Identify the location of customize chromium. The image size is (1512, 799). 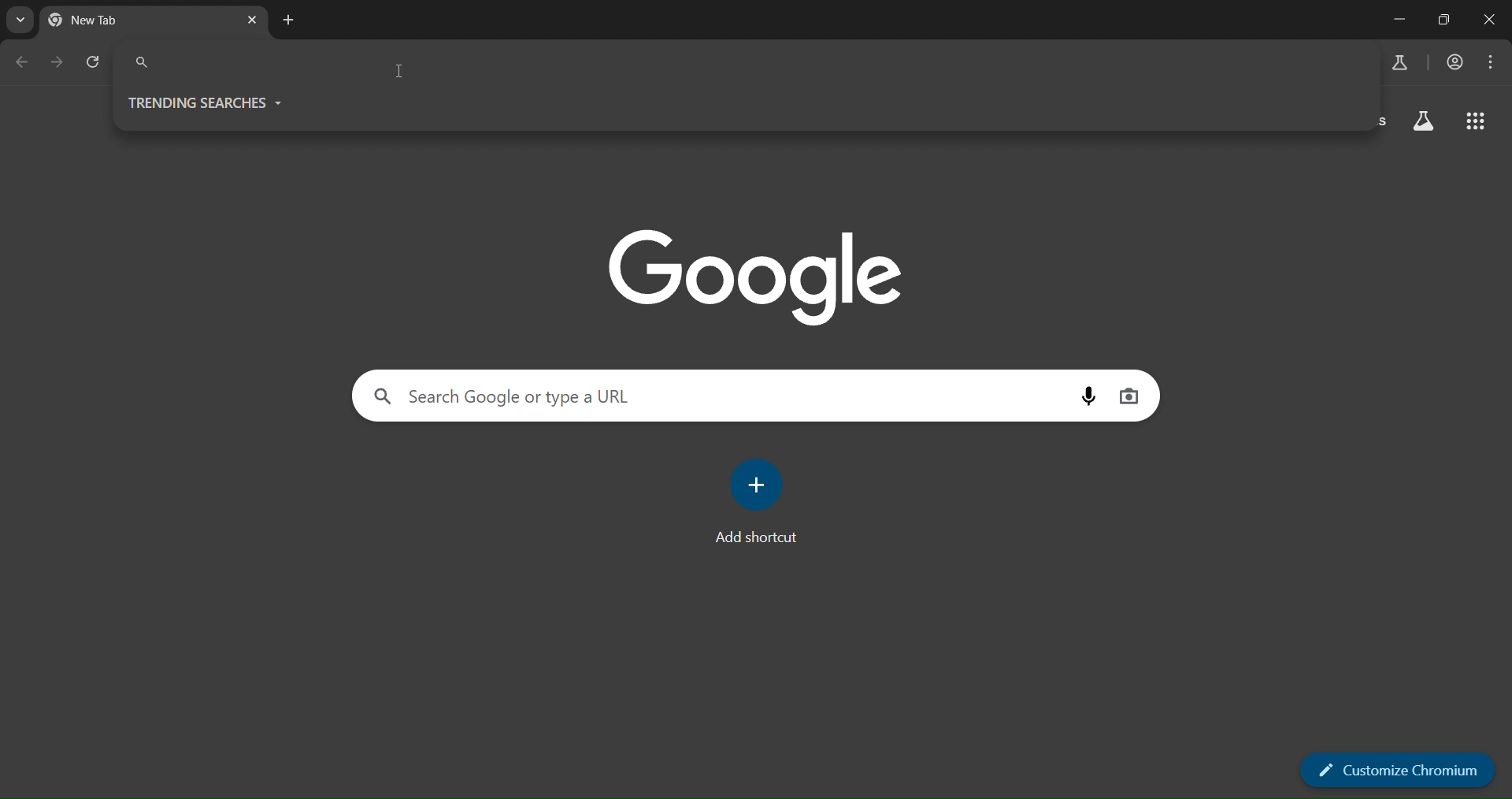
(1395, 771).